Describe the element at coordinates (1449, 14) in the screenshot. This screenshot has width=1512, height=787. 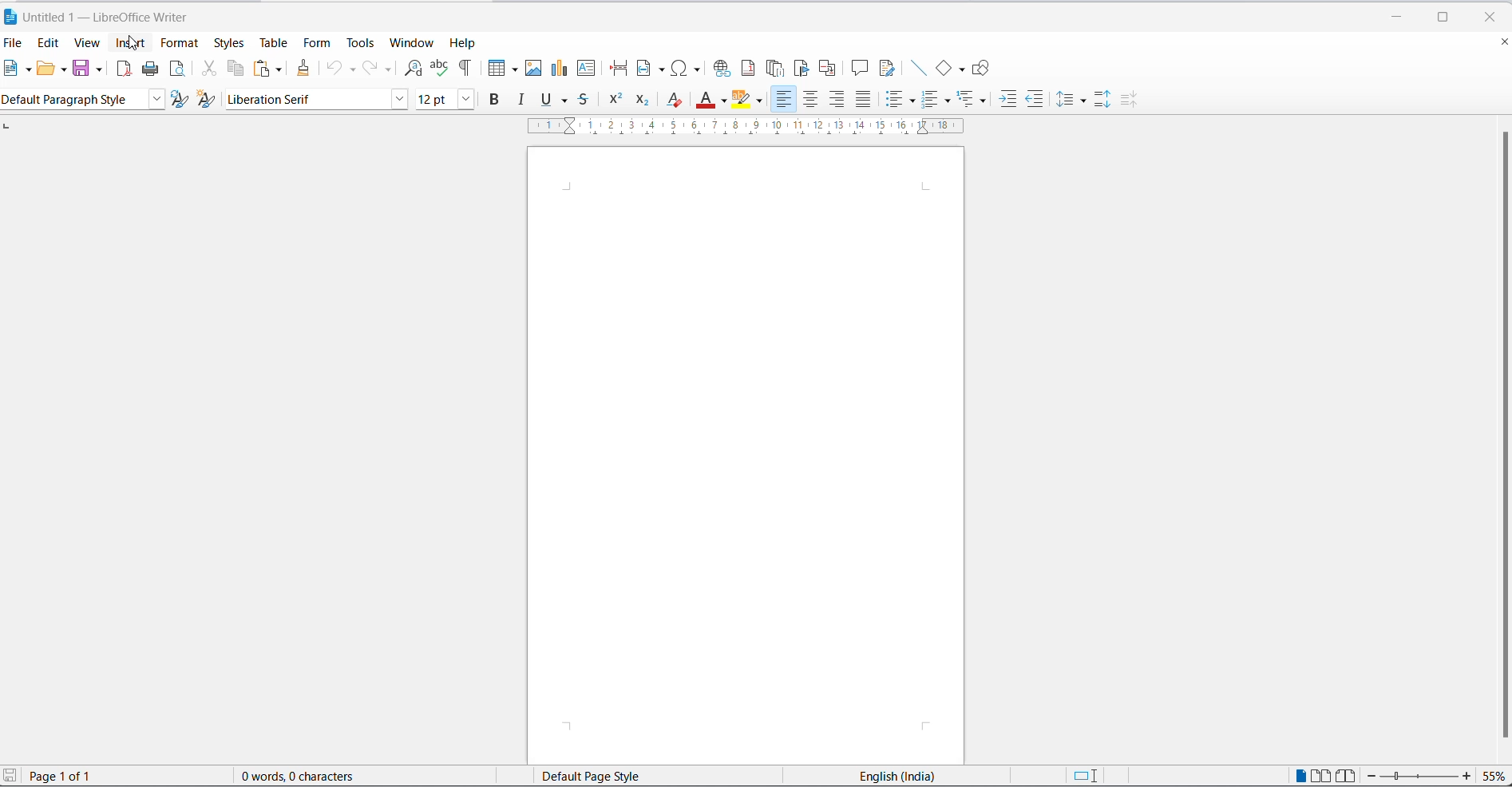
I see `maximize` at that location.